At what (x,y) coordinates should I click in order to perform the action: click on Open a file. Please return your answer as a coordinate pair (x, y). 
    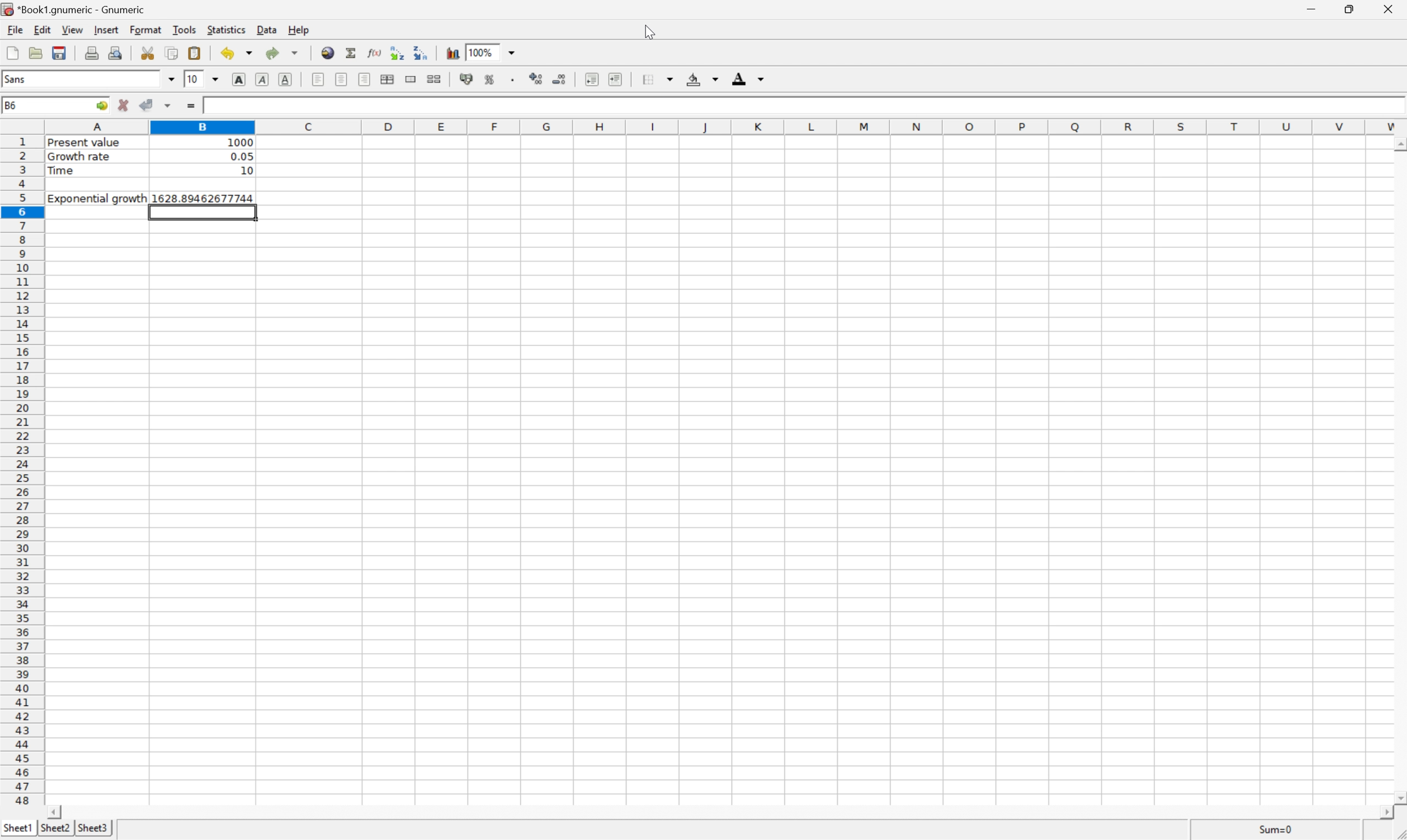
    Looking at the image, I should click on (37, 53).